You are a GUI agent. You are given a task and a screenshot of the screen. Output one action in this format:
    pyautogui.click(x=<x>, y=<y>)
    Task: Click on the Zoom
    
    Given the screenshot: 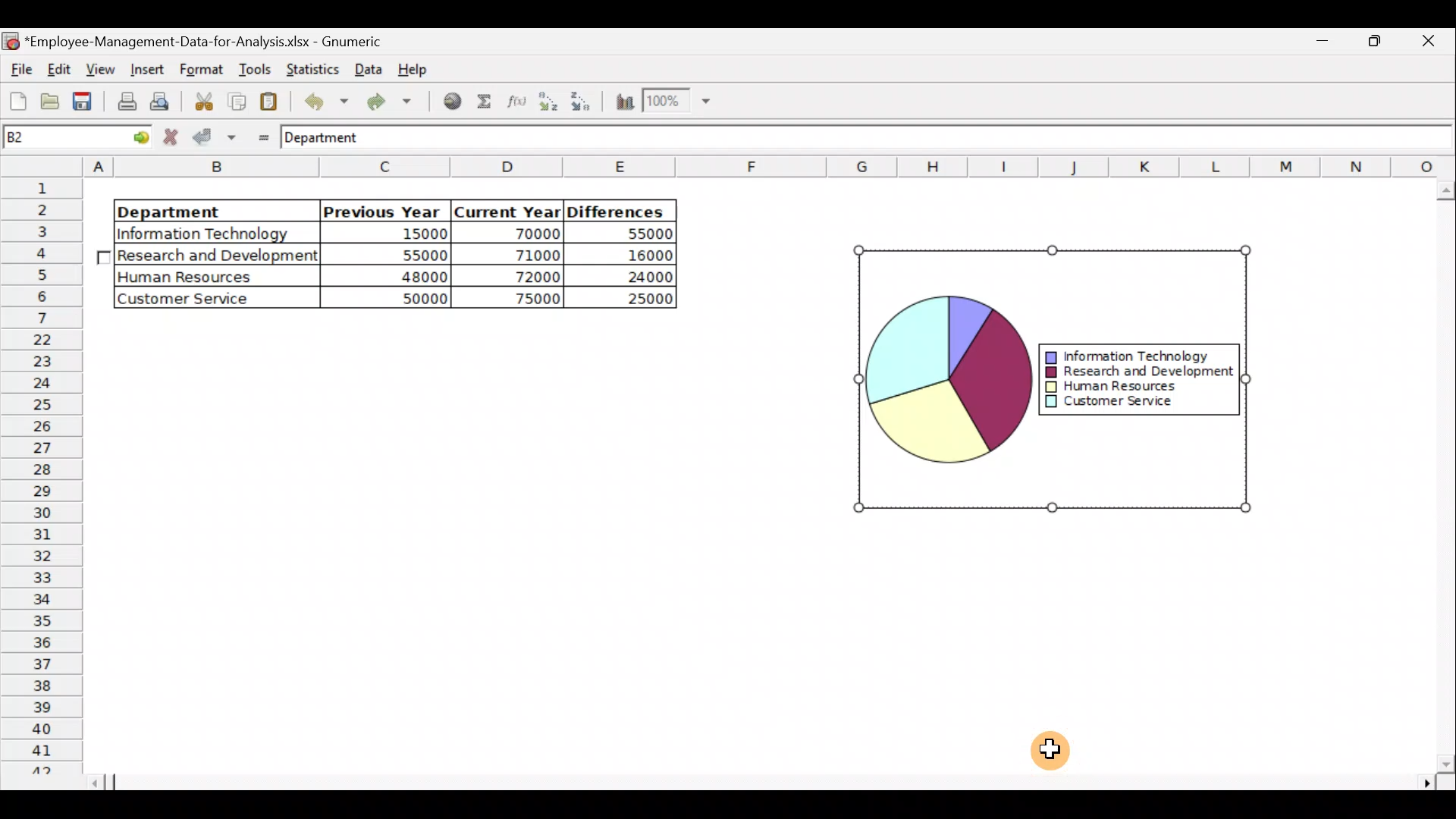 What is the action you would take?
    pyautogui.click(x=676, y=103)
    